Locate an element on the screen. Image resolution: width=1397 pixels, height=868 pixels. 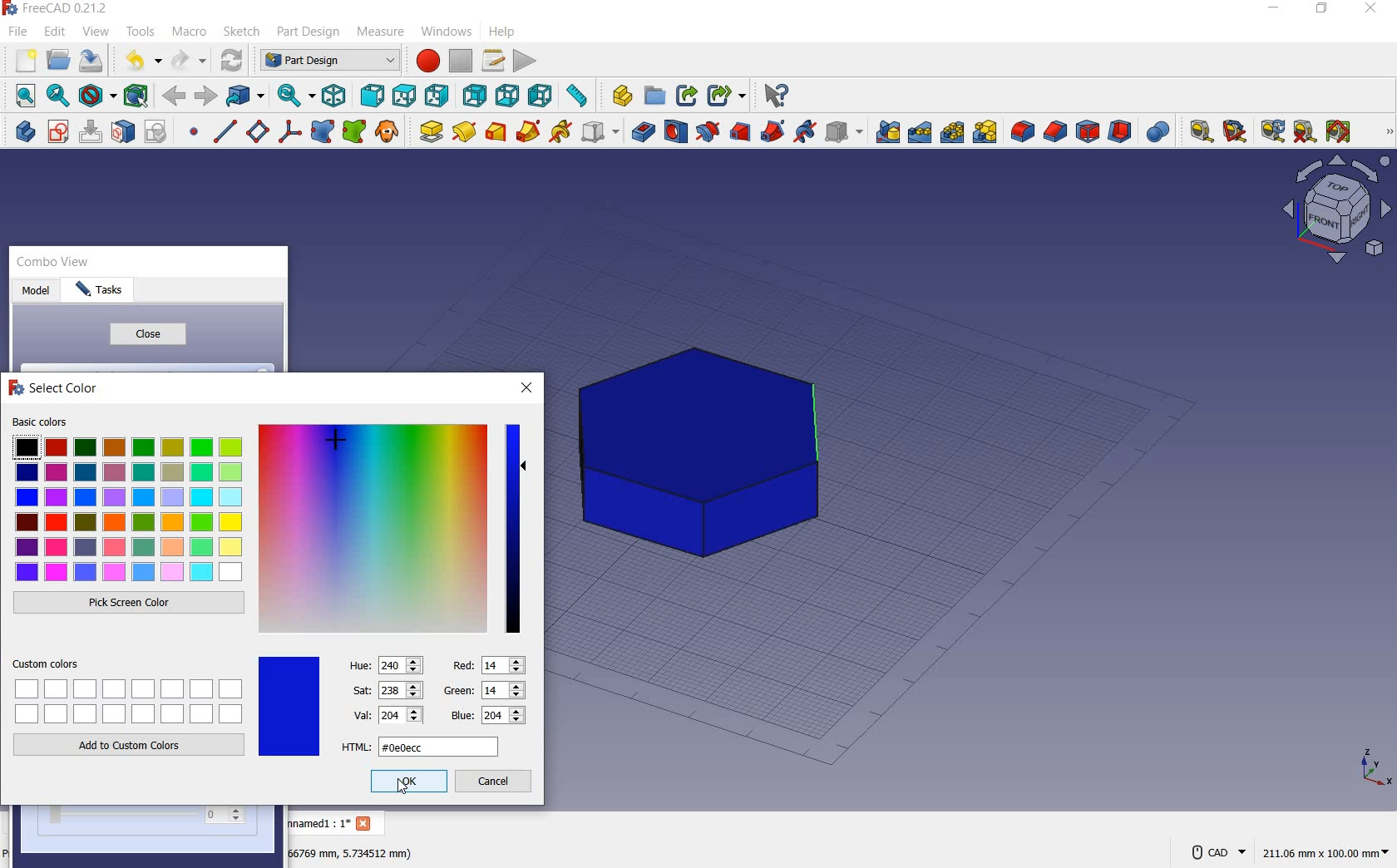
unnamed1 : 1* is located at coordinates (318, 822).